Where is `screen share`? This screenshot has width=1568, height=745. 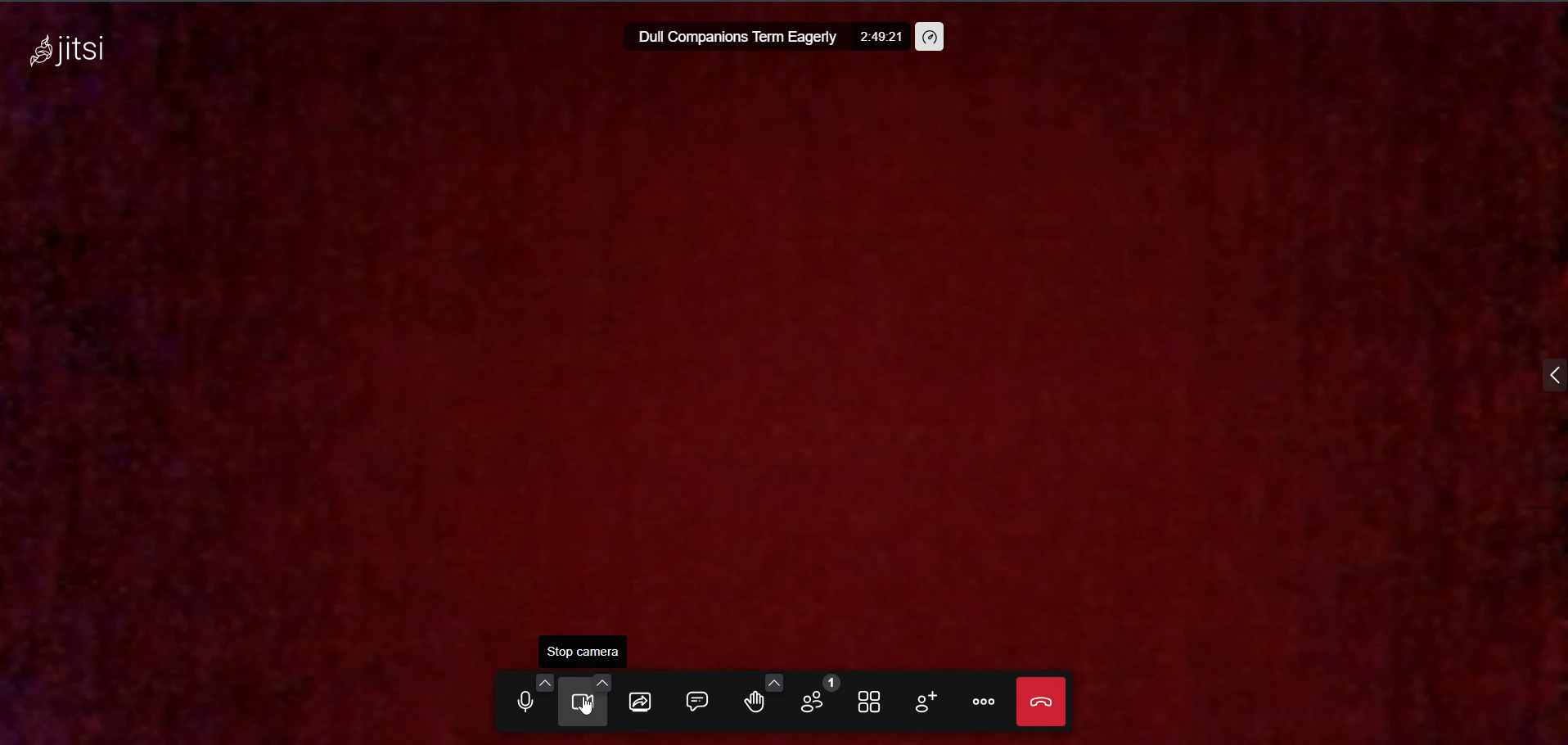 screen share is located at coordinates (640, 700).